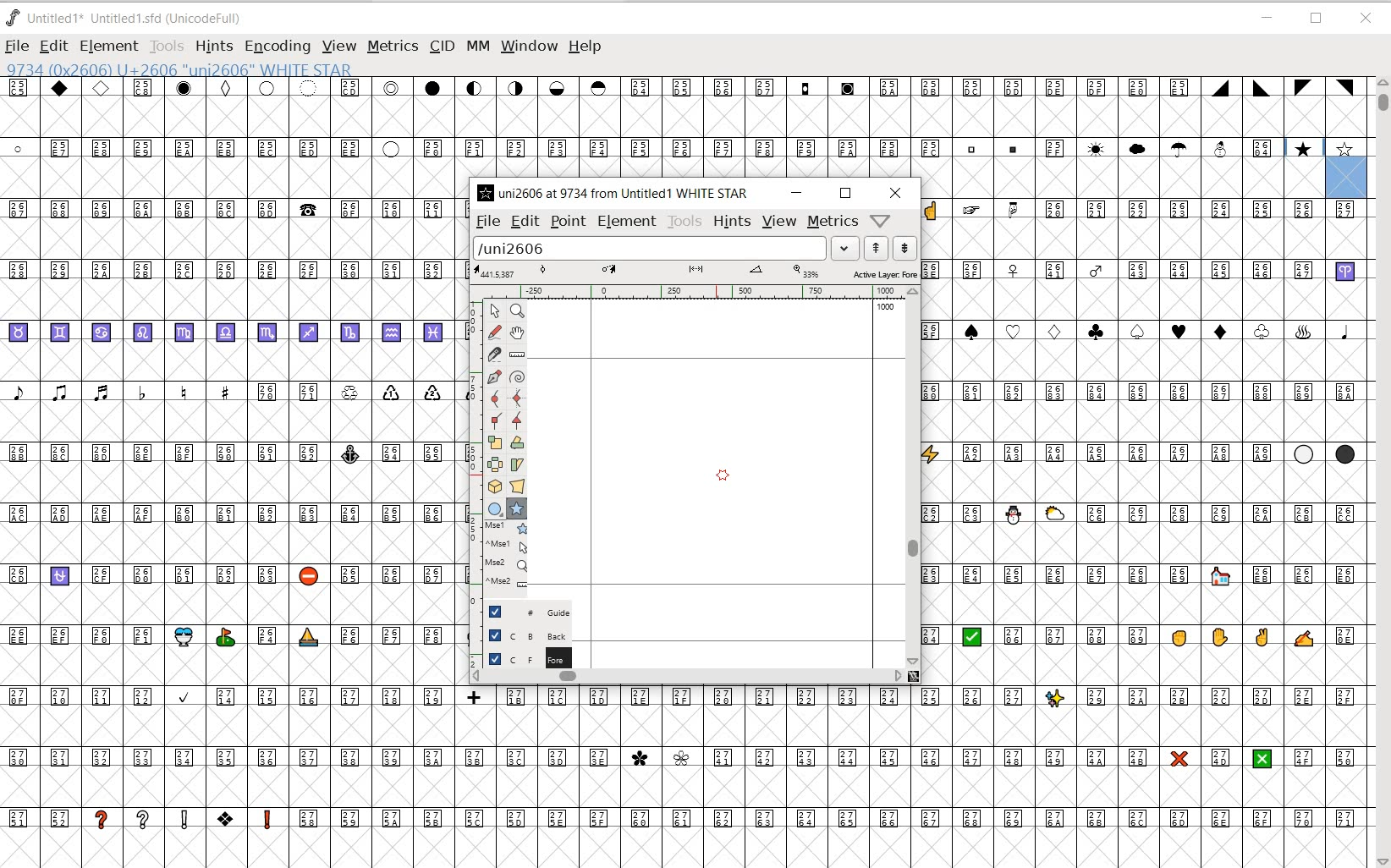 Image resolution: width=1391 pixels, height=868 pixels. I want to click on MAGNIFY, so click(517, 312).